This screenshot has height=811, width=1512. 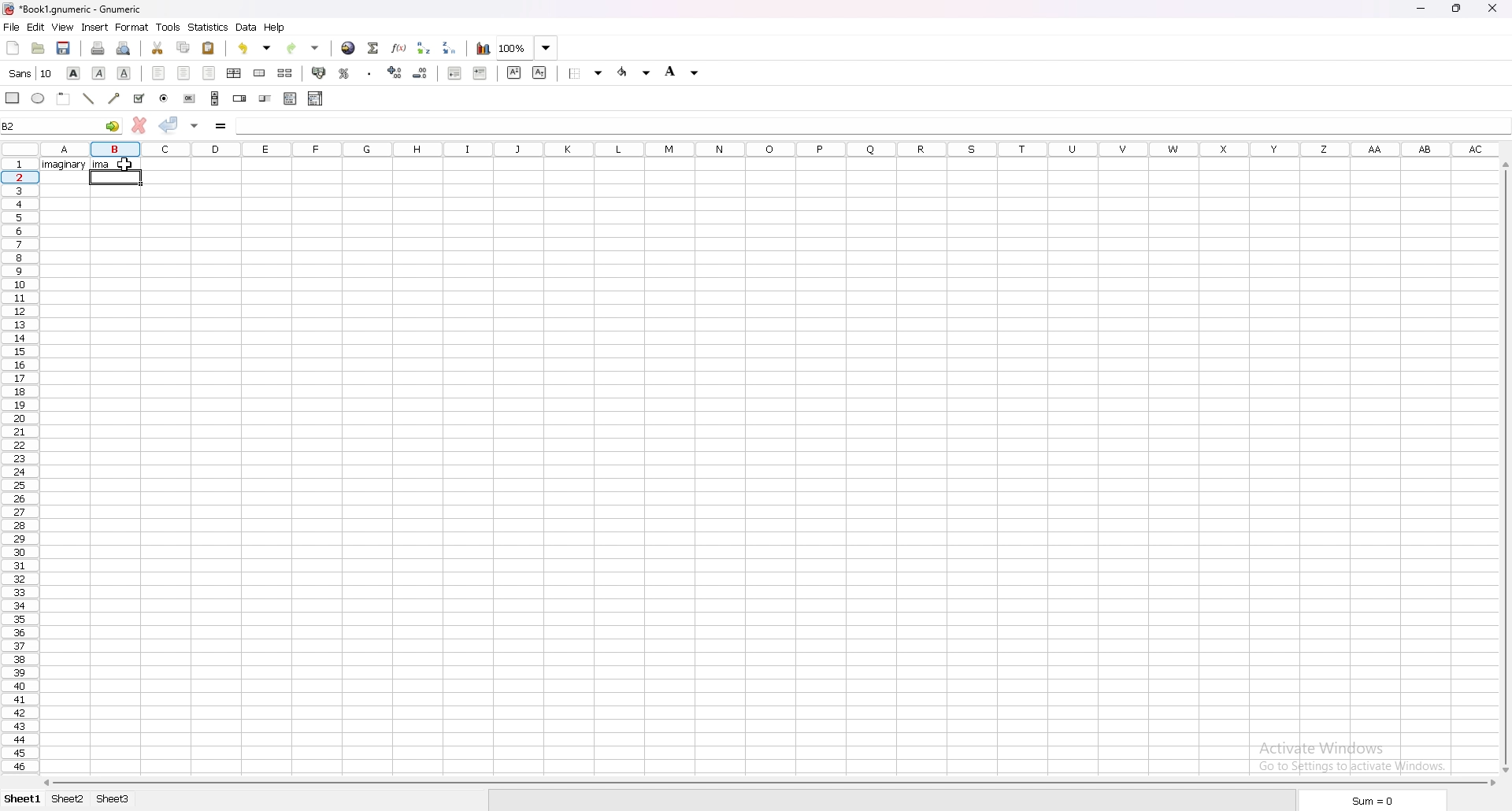 I want to click on resize, so click(x=1458, y=9).